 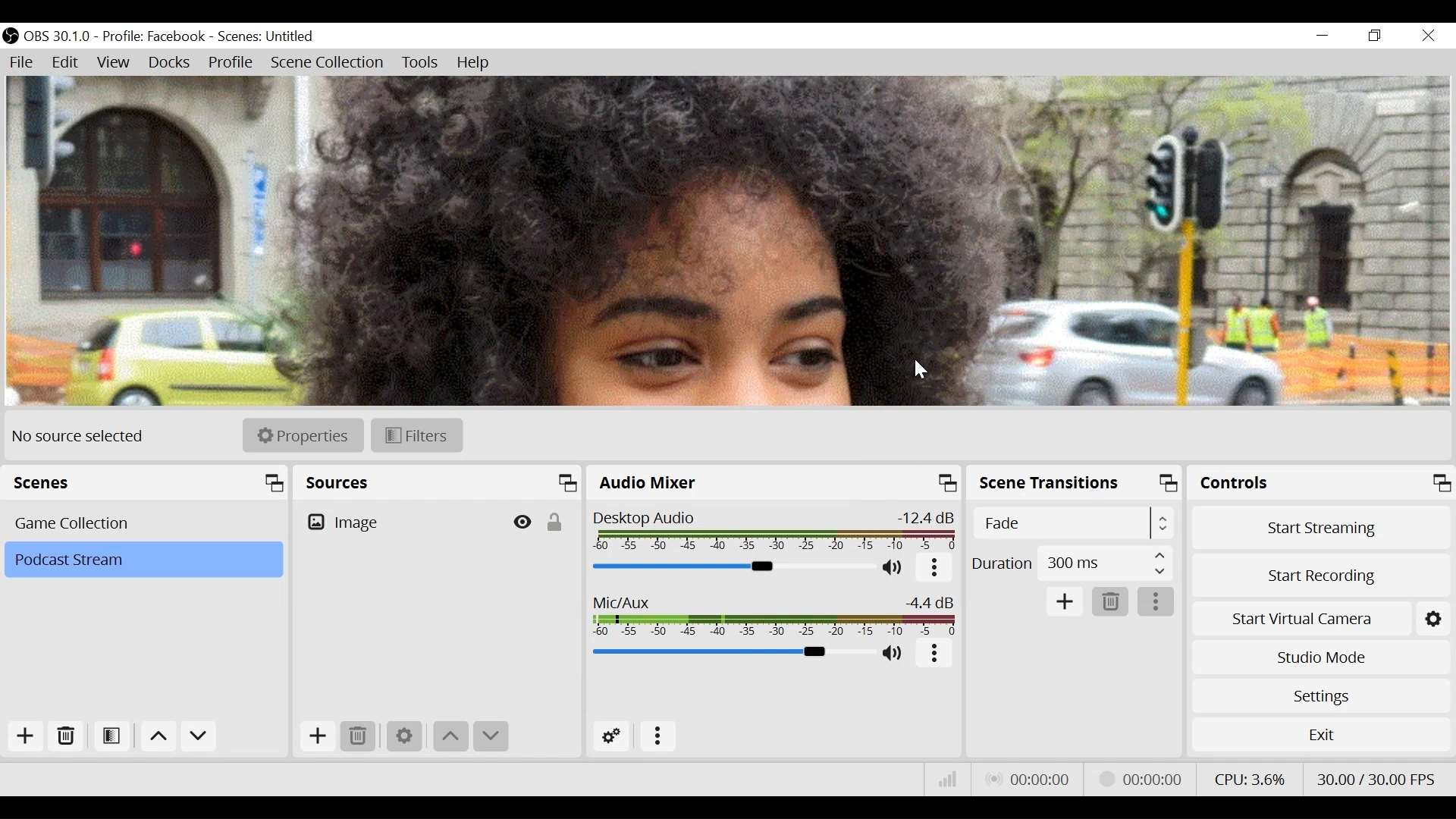 I want to click on More Options, so click(x=658, y=737).